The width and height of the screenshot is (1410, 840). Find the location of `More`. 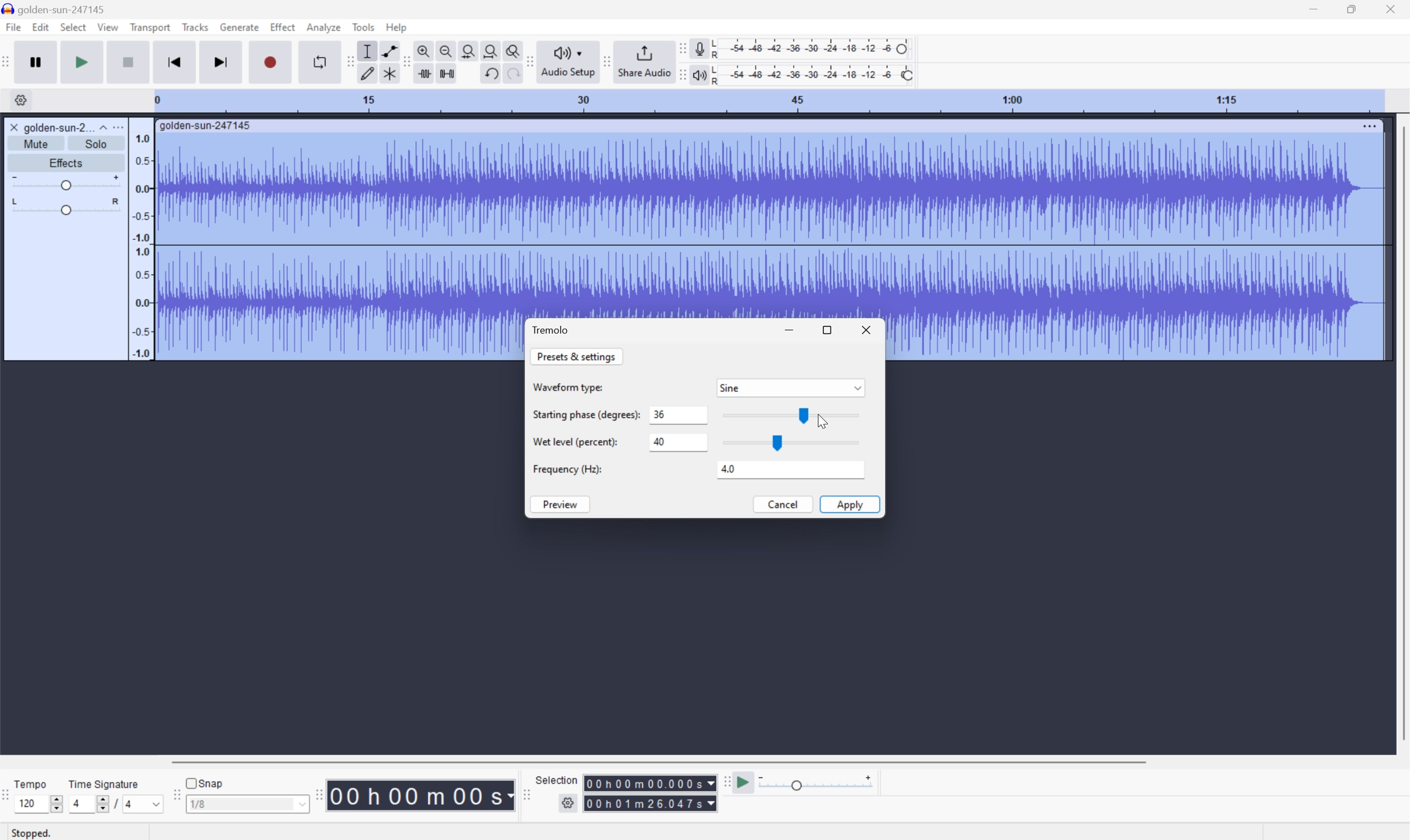

More is located at coordinates (121, 126).